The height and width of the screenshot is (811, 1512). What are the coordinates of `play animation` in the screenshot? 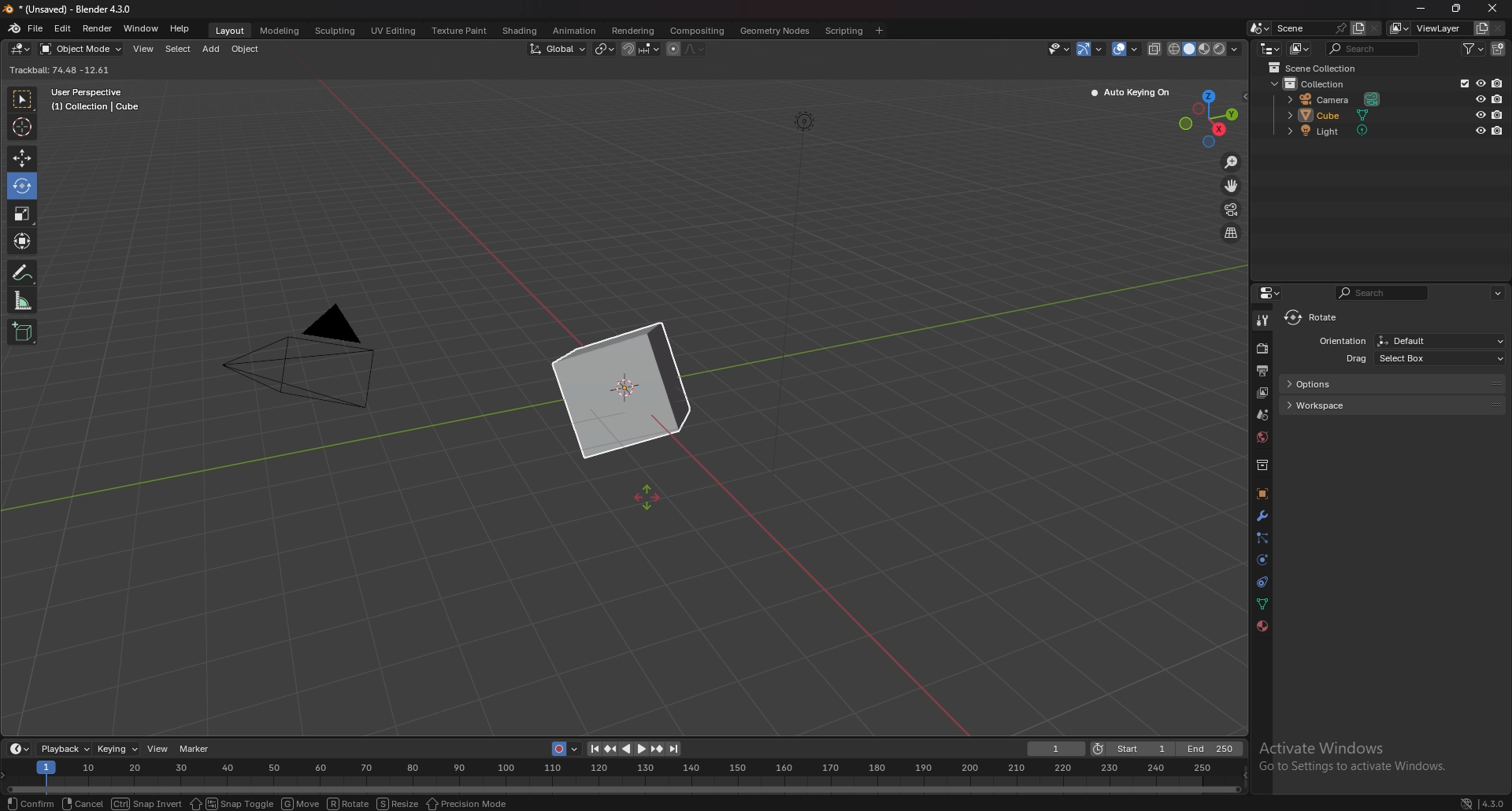 It's located at (635, 750).